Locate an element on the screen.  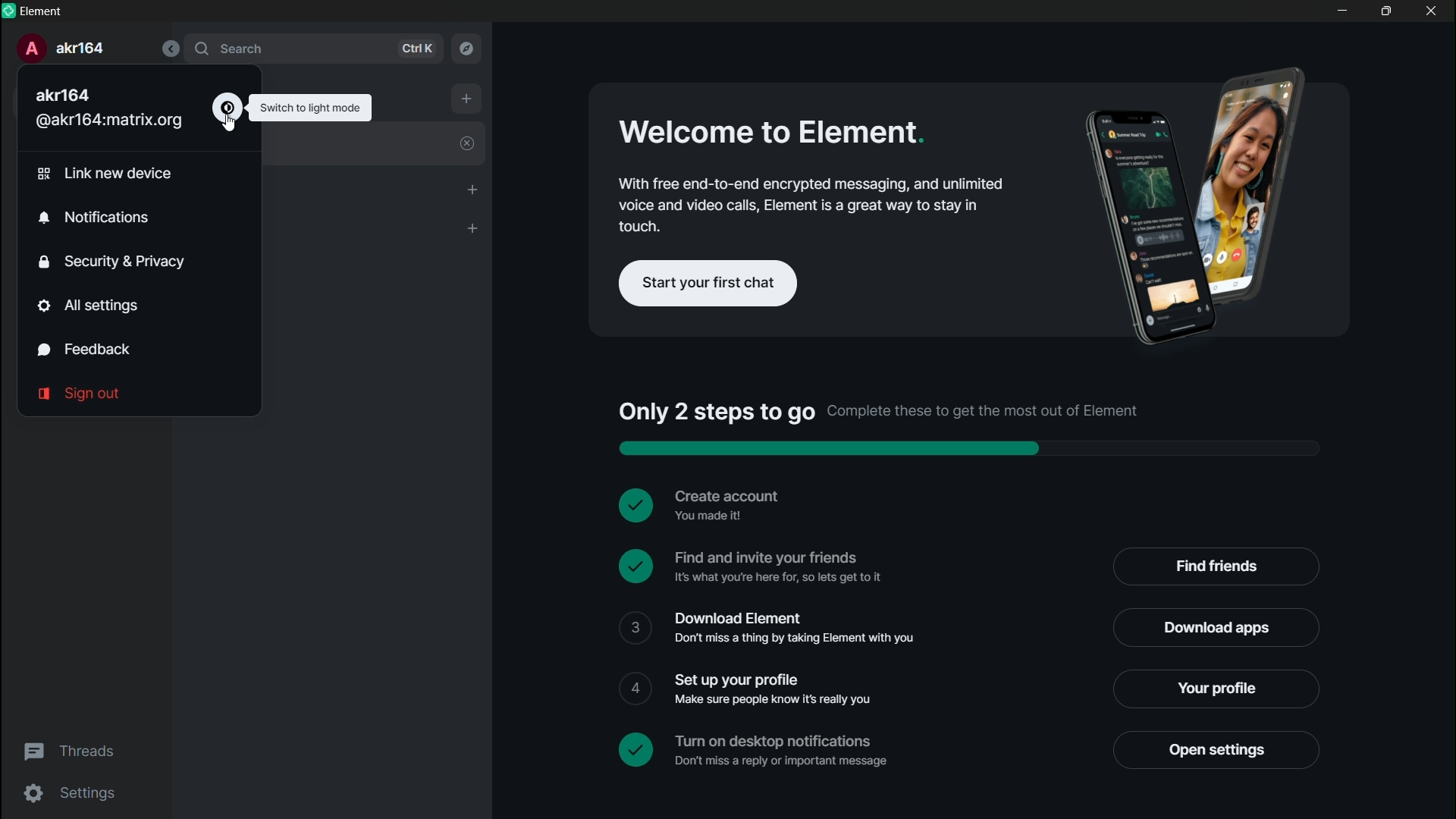
Advertising picture is located at coordinates (1197, 210).